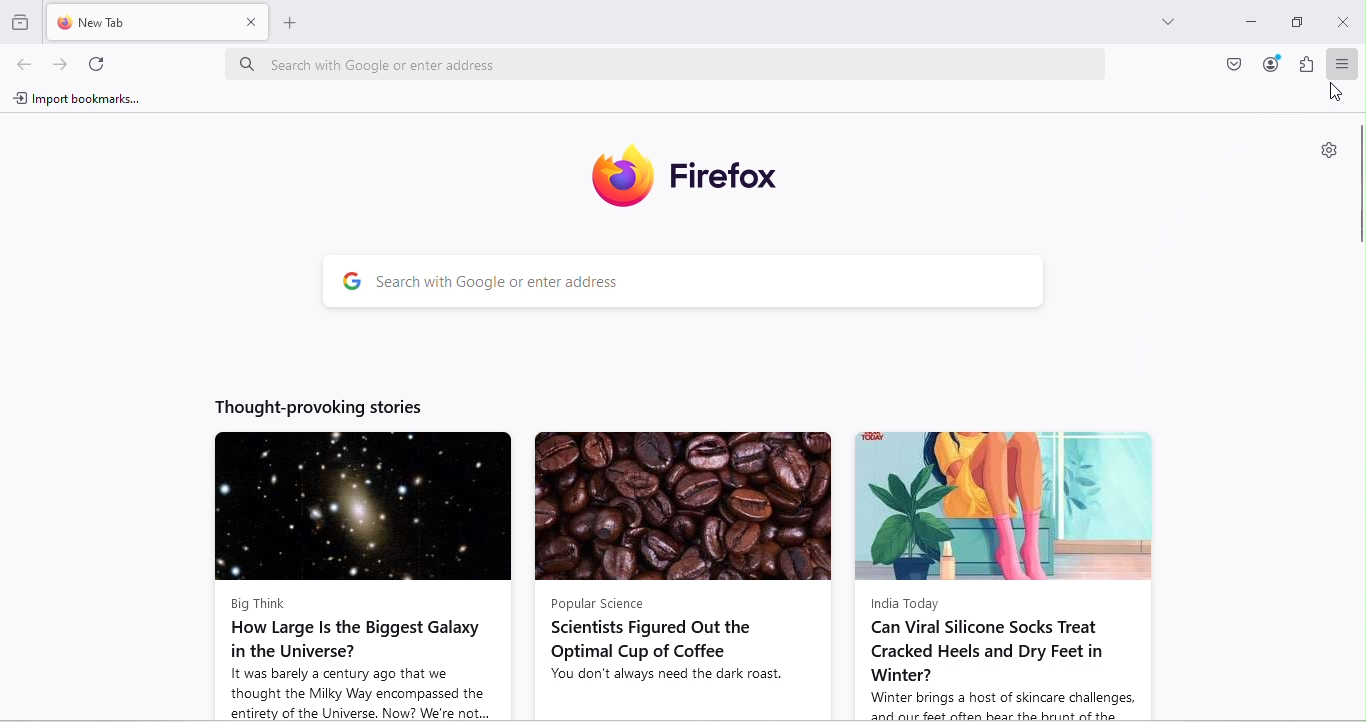 The width and height of the screenshot is (1366, 722). I want to click on Open a new tab, so click(287, 19).